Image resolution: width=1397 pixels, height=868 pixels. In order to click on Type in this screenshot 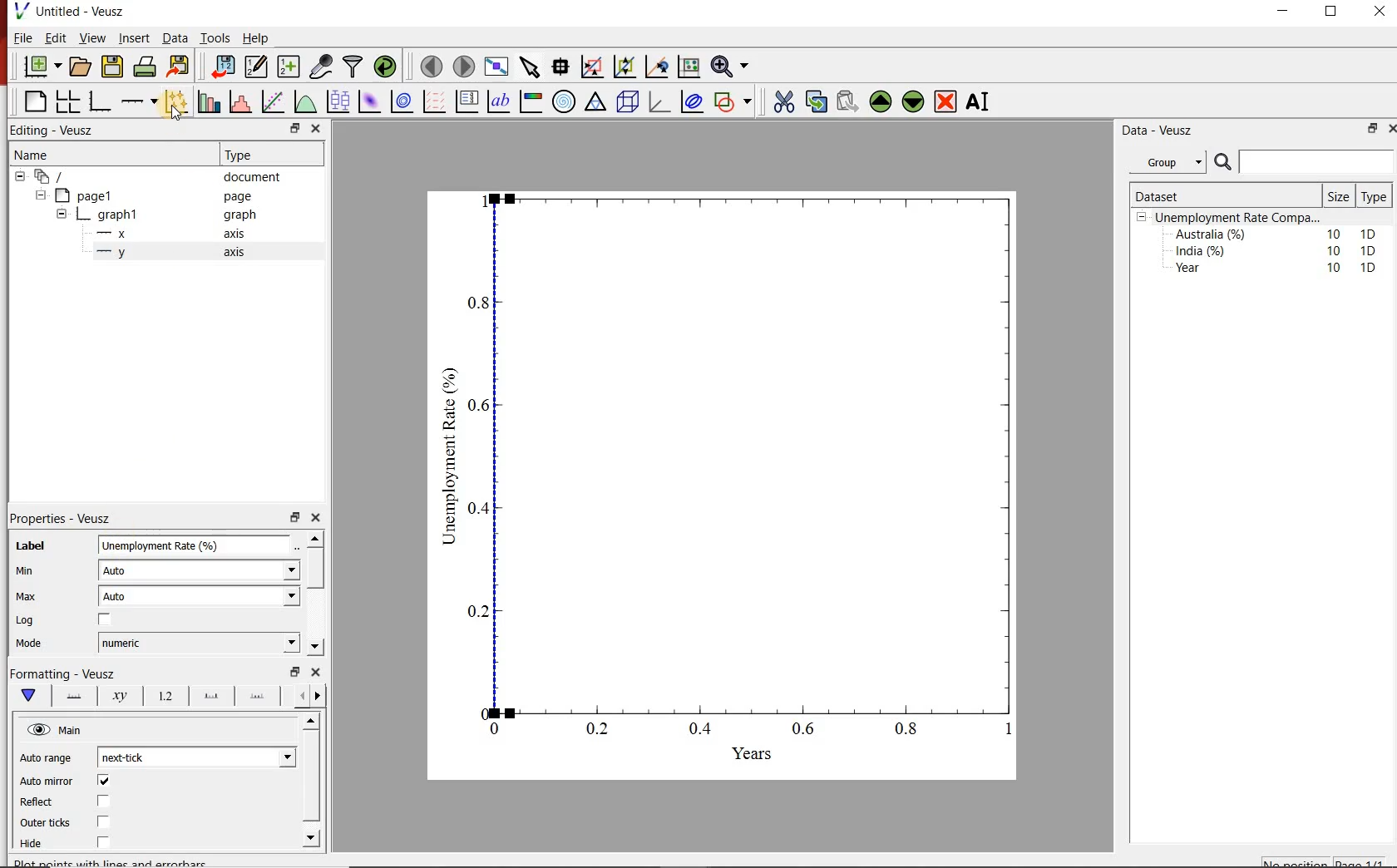, I will do `click(1373, 197)`.